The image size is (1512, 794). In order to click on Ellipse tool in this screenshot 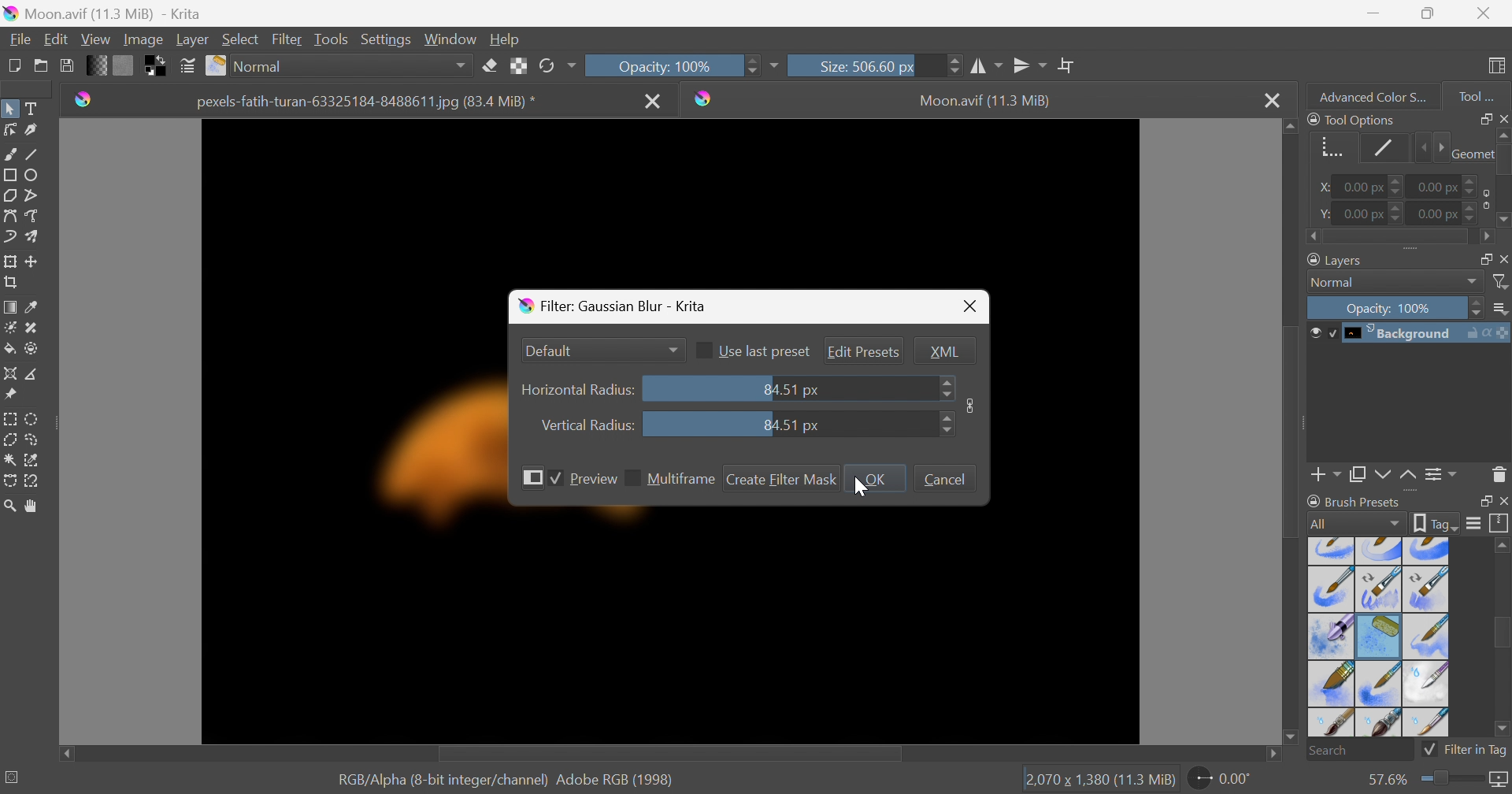, I will do `click(32, 176)`.